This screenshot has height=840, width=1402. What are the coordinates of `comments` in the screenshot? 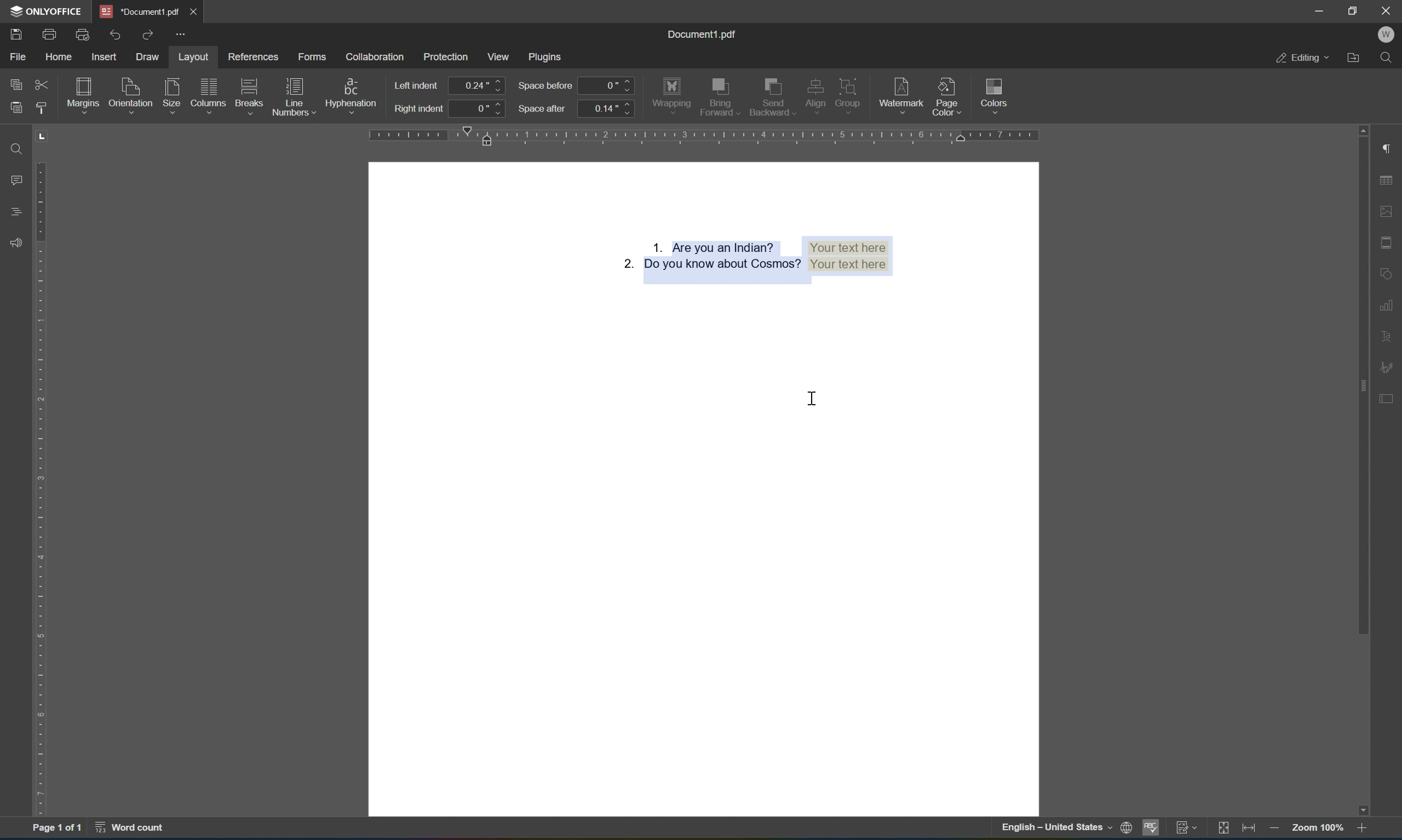 It's located at (18, 180).